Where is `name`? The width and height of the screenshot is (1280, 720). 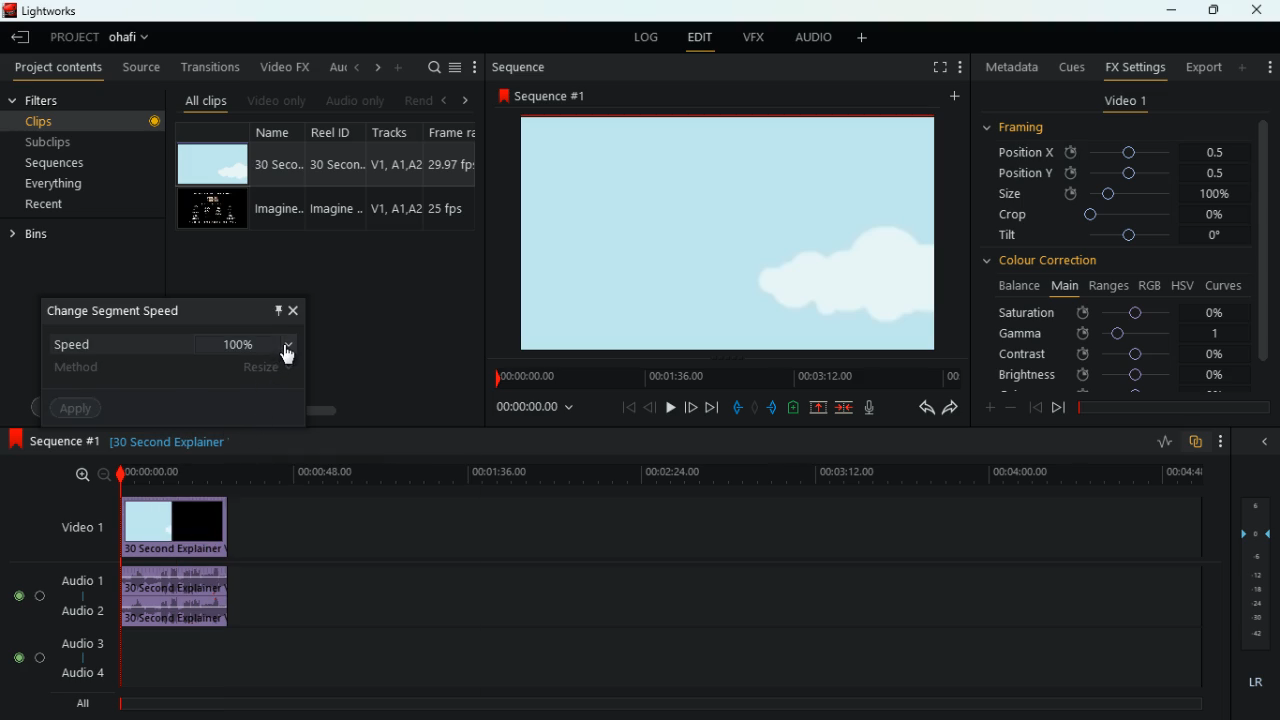
name is located at coordinates (276, 177).